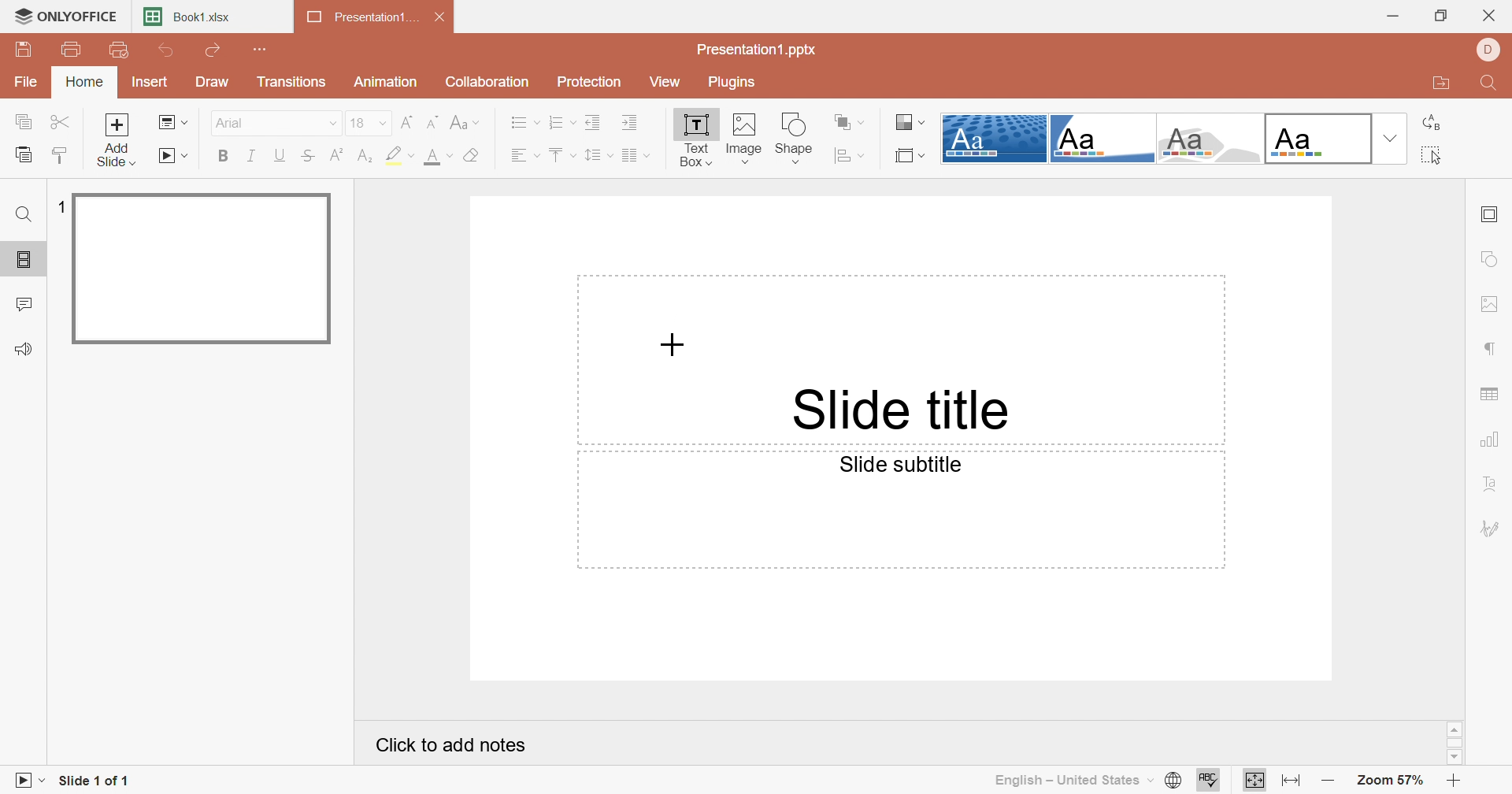 The width and height of the screenshot is (1512, 794). Describe the element at coordinates (731, 82) in the screenshot. I see `Plugins` at that location.